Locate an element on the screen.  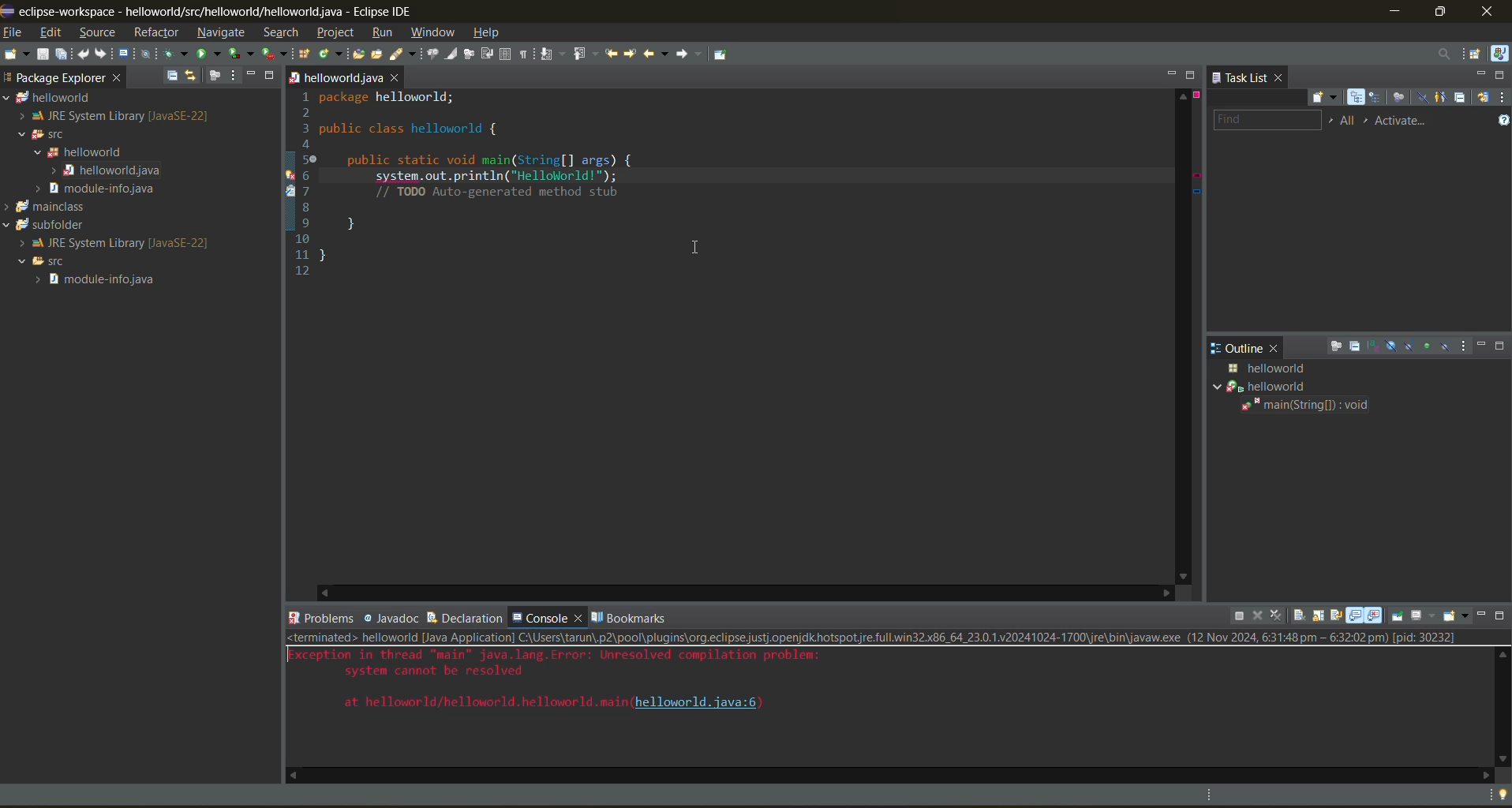
previous annotation is located at coordinates (587, 54).